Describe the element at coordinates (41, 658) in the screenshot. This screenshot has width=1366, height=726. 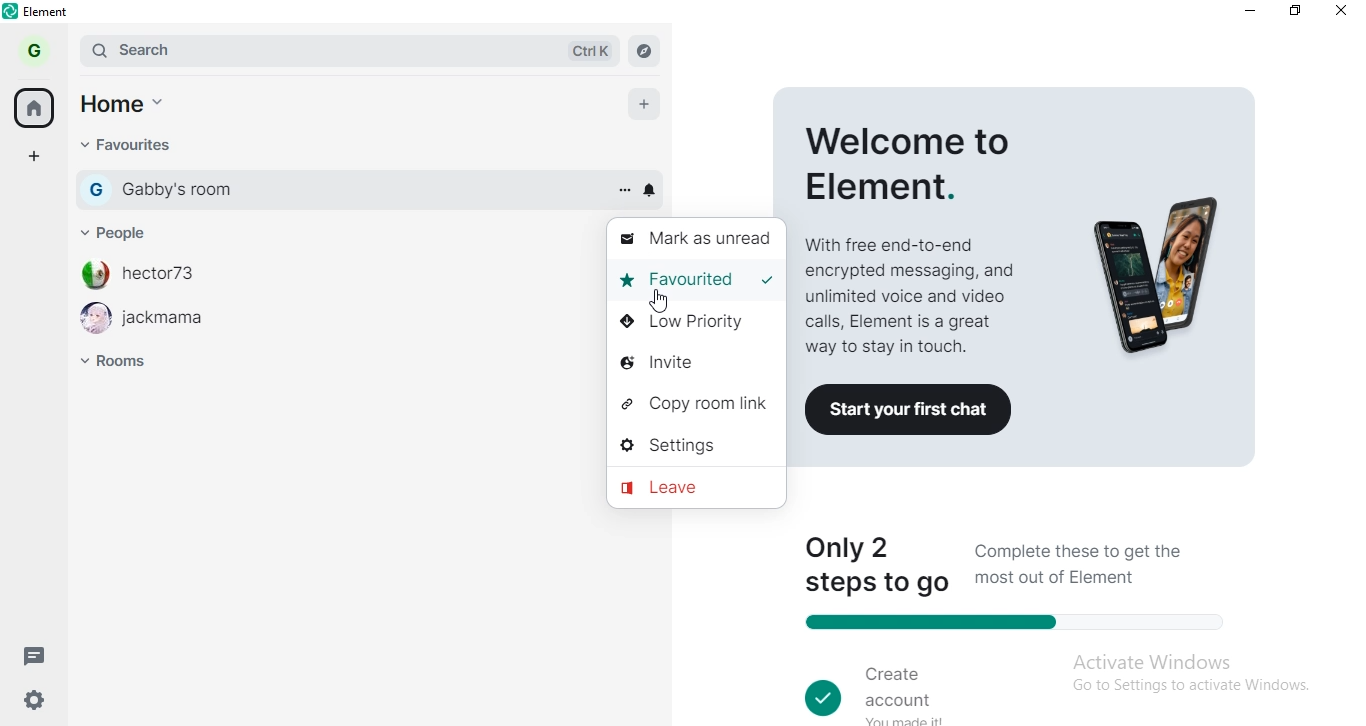
I see `message` at that location.